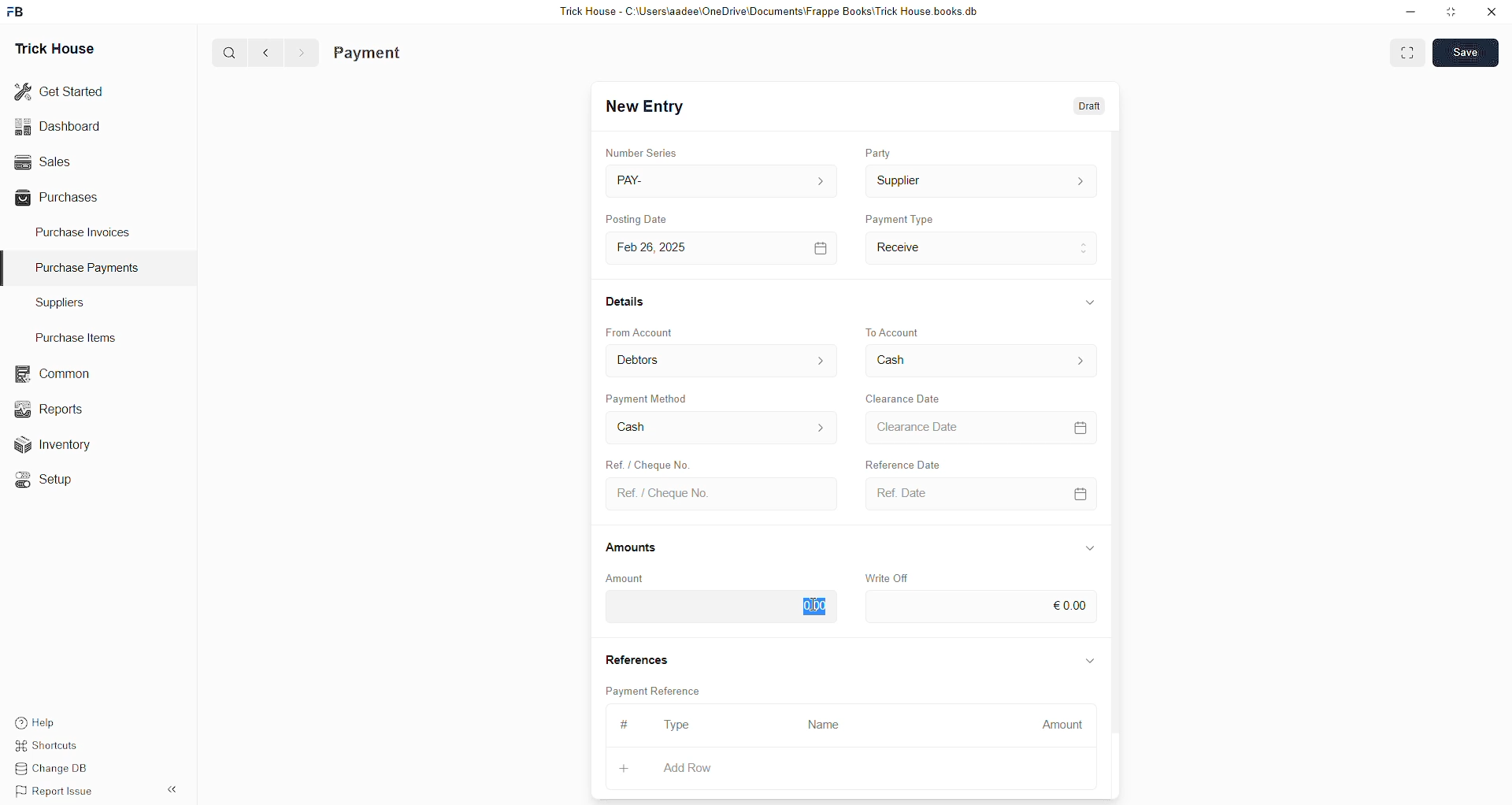 This screenshot has height=805, width=1512. What do you see at coordinates (81, 235) in the screenshot?
I see `Purchase Invoices` at bounding box center [81, 235].